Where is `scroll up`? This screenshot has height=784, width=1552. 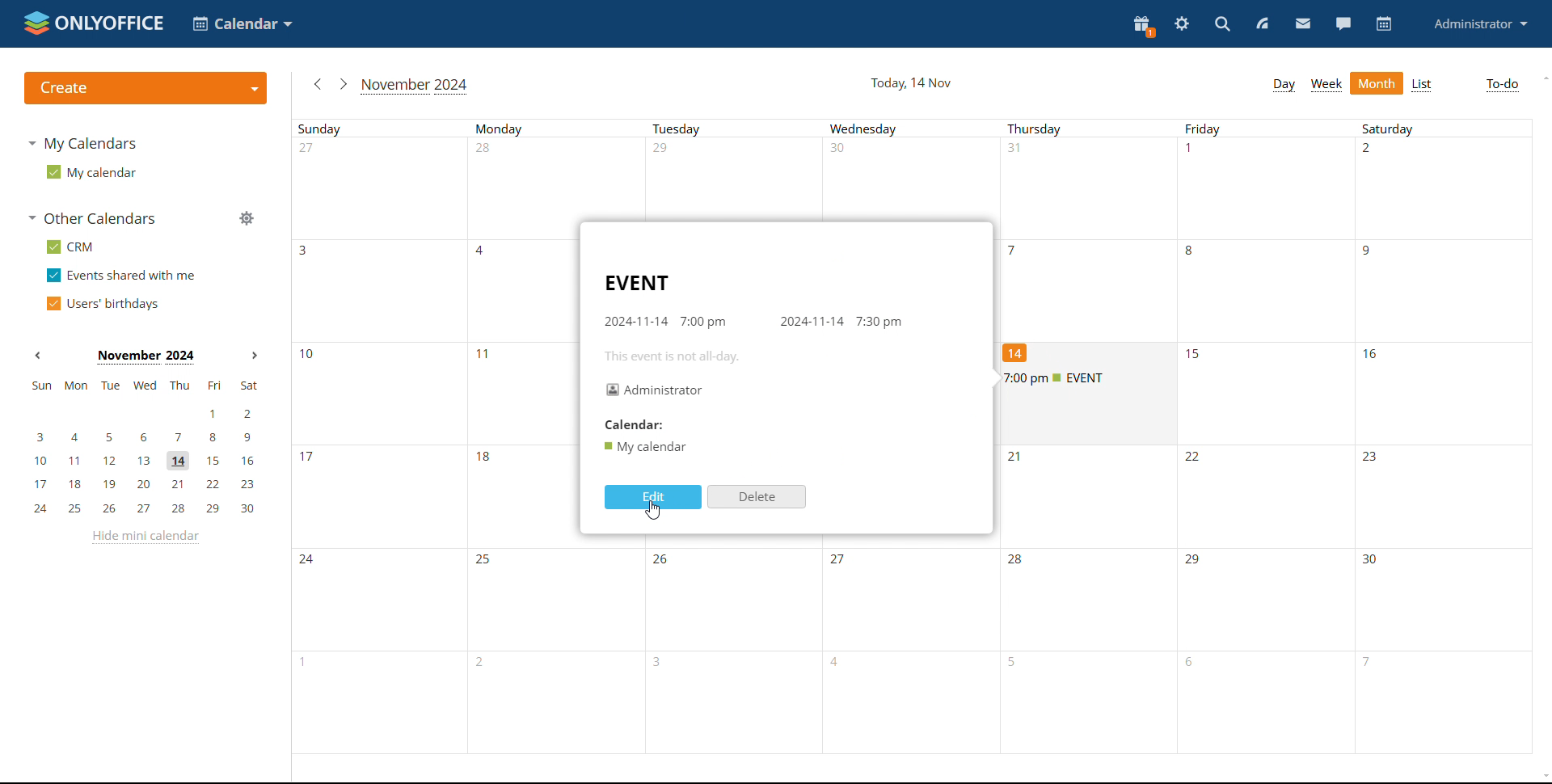 scroll up is located at coordinates (1542, 78).